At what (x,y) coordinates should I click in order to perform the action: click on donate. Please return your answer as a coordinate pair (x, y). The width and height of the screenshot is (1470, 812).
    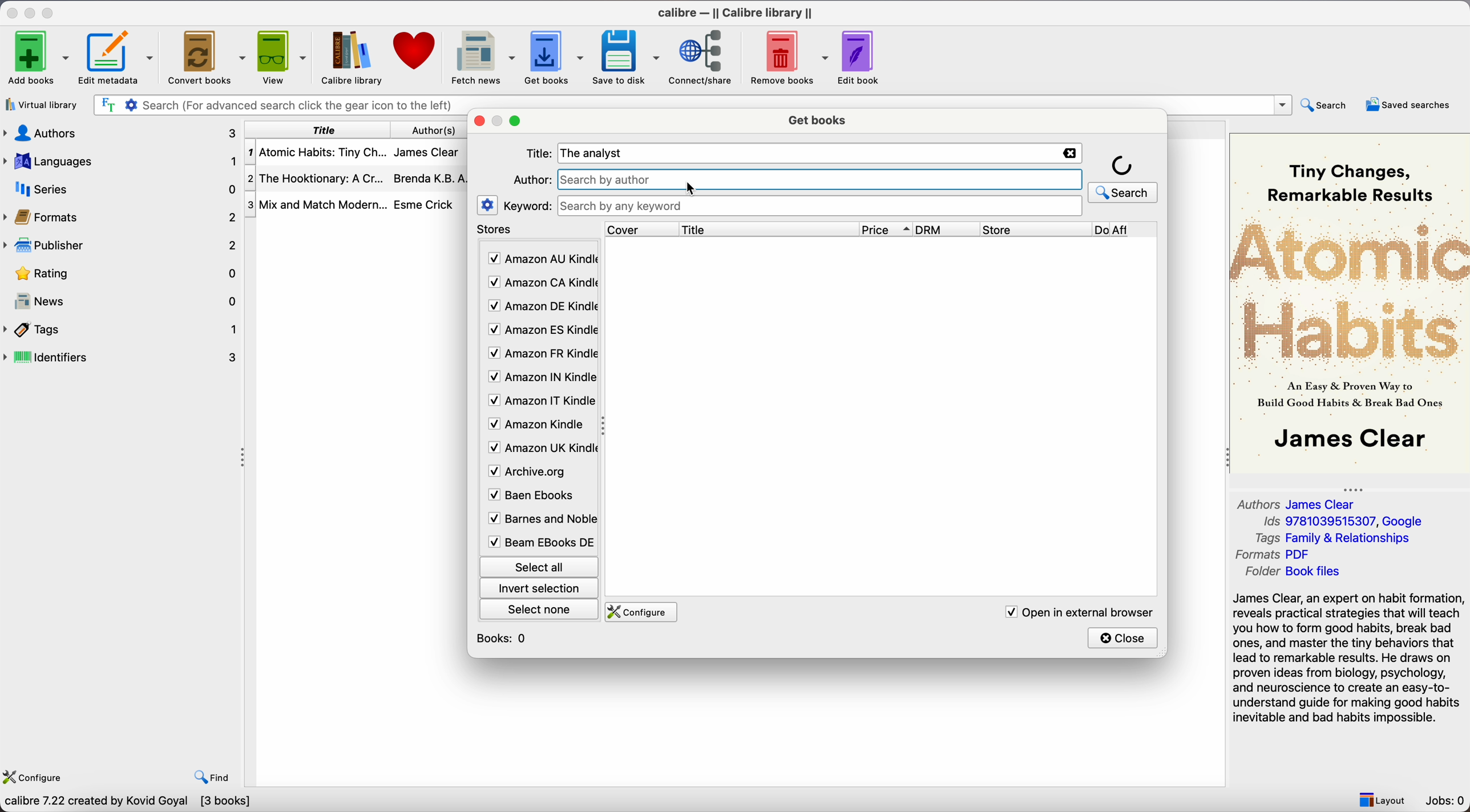
    Looking at the image, I should click on (413, 53).